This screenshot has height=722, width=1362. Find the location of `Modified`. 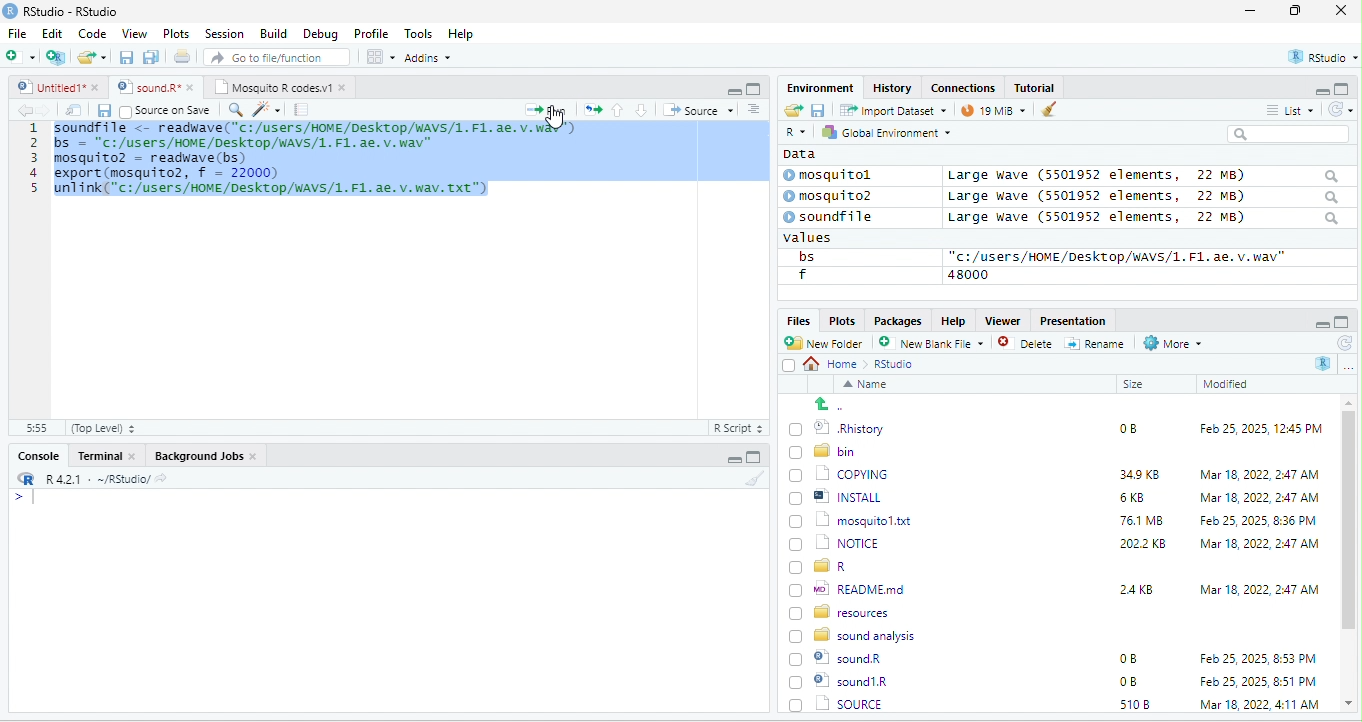

Modified is located at coordinates (1227, 384).